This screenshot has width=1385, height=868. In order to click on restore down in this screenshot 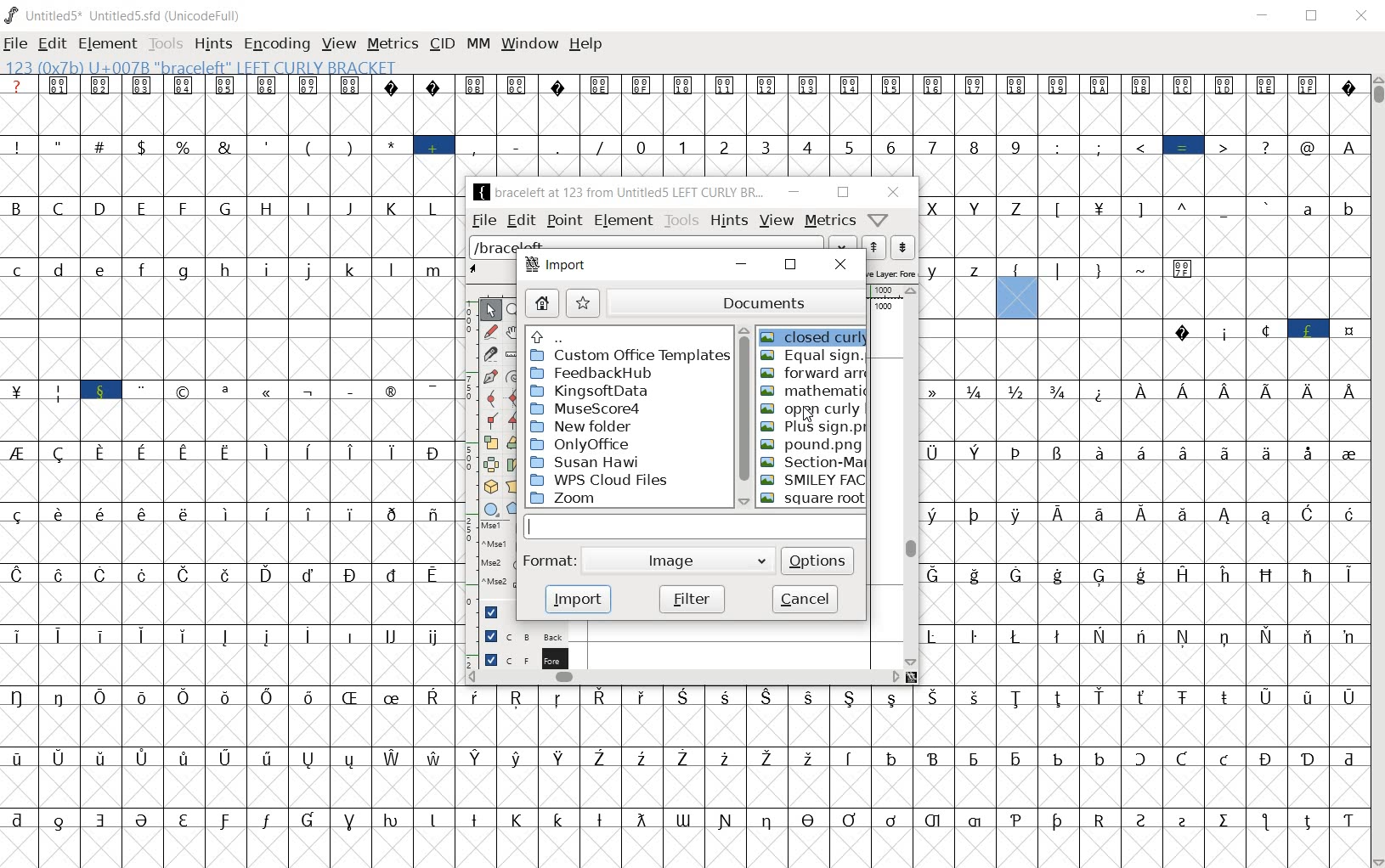, I will do `click(842, 194)`.